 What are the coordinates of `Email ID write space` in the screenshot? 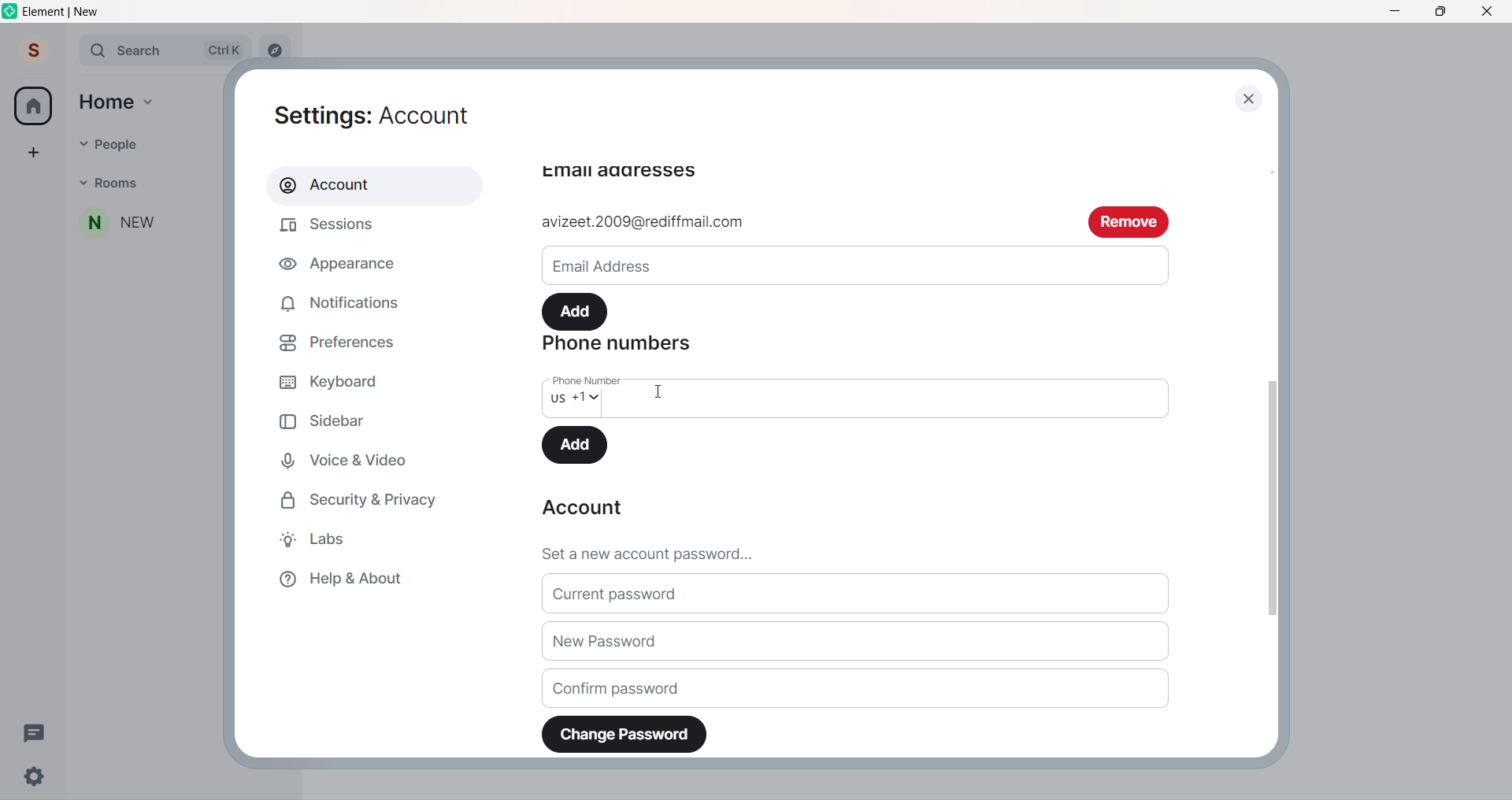 It's located at (854, 263).